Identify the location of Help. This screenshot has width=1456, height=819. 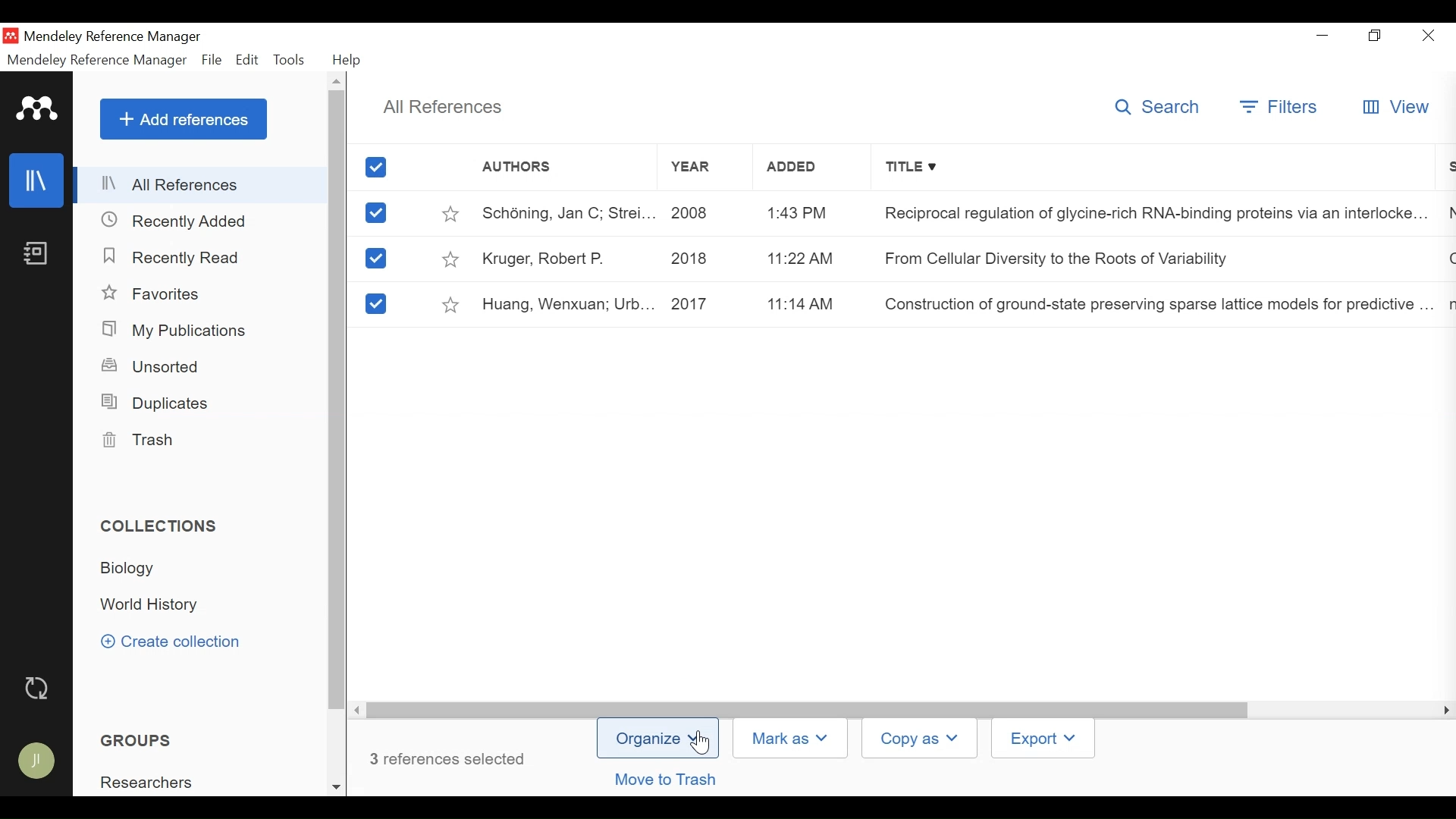
(350, 60).